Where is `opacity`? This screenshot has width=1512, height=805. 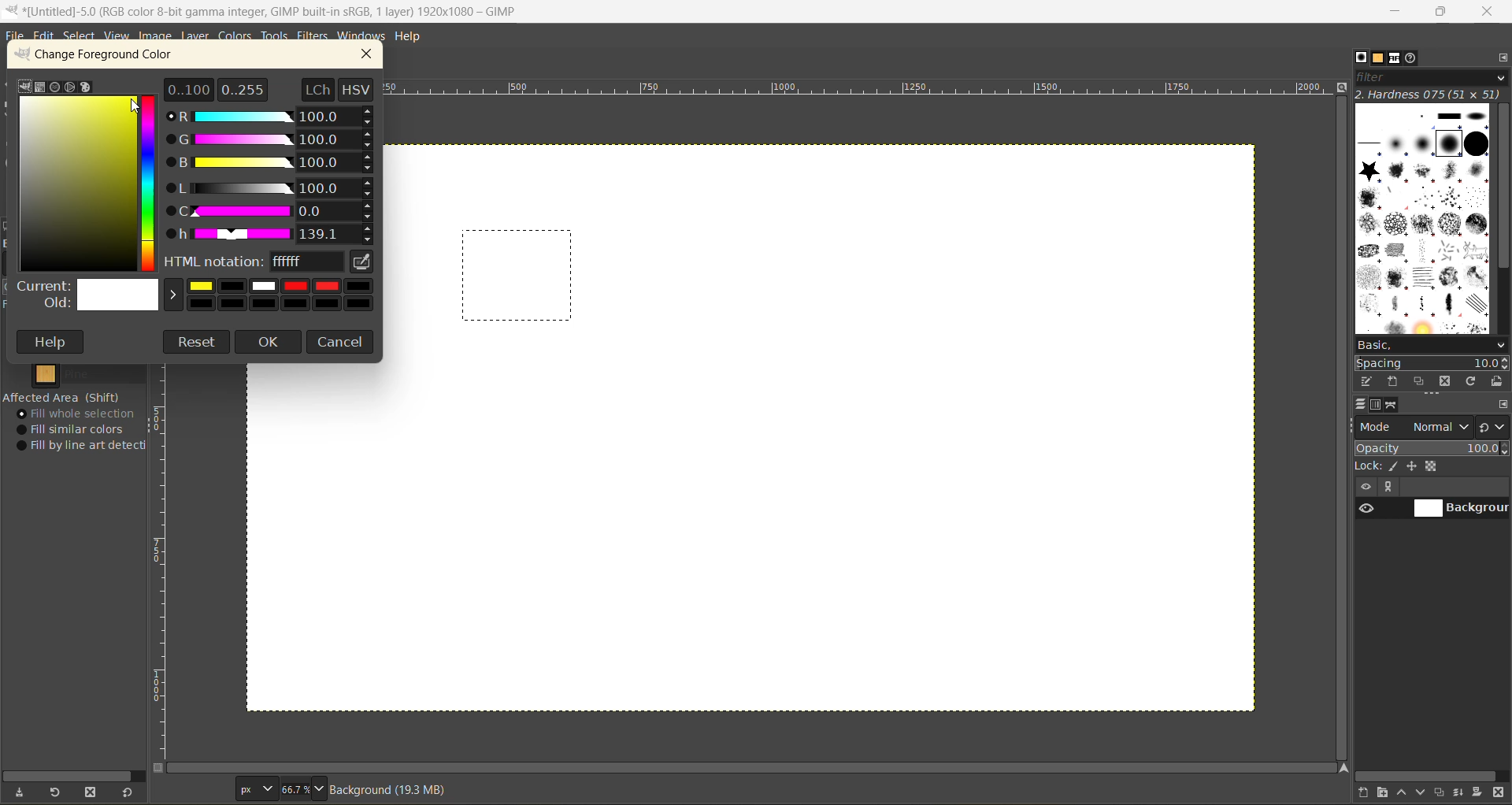
opacity is located at coordinates (1432, 448).